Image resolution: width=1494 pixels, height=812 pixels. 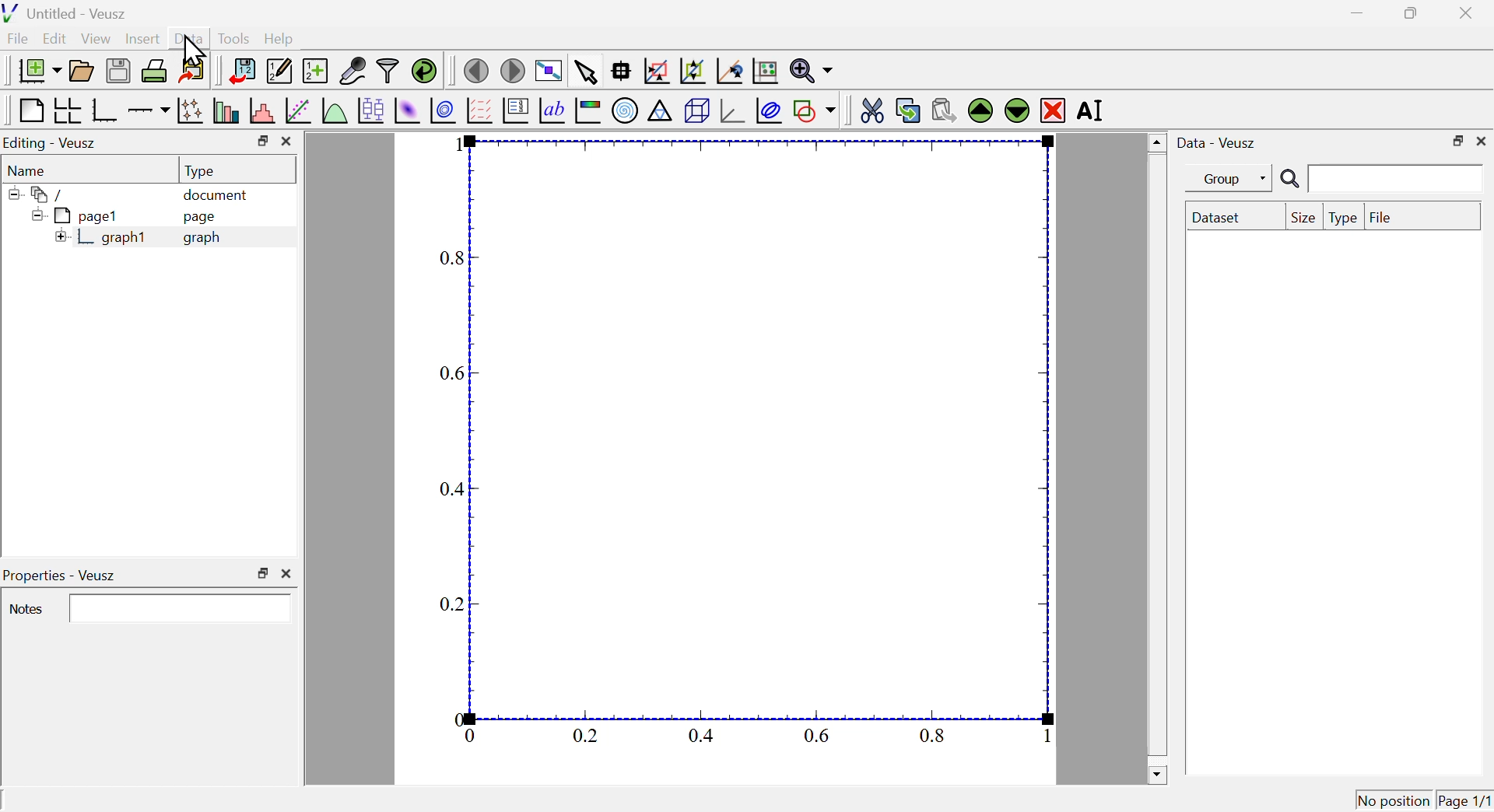 I want to click on scrollbar, so click(x=1156, y=458).